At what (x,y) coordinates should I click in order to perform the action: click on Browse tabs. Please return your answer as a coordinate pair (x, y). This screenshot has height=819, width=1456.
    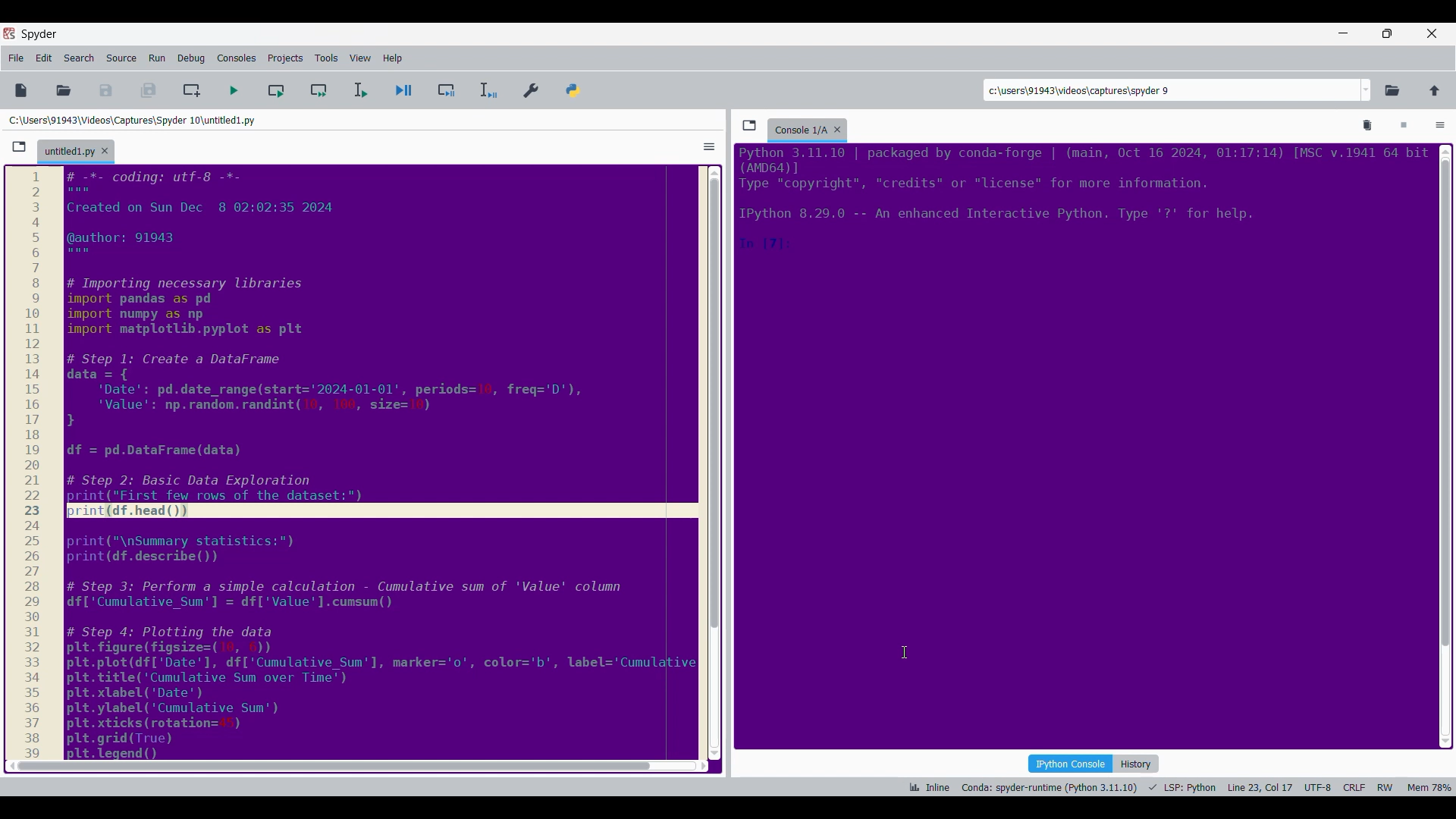
    Looking at the image, I should click on (749, 125).